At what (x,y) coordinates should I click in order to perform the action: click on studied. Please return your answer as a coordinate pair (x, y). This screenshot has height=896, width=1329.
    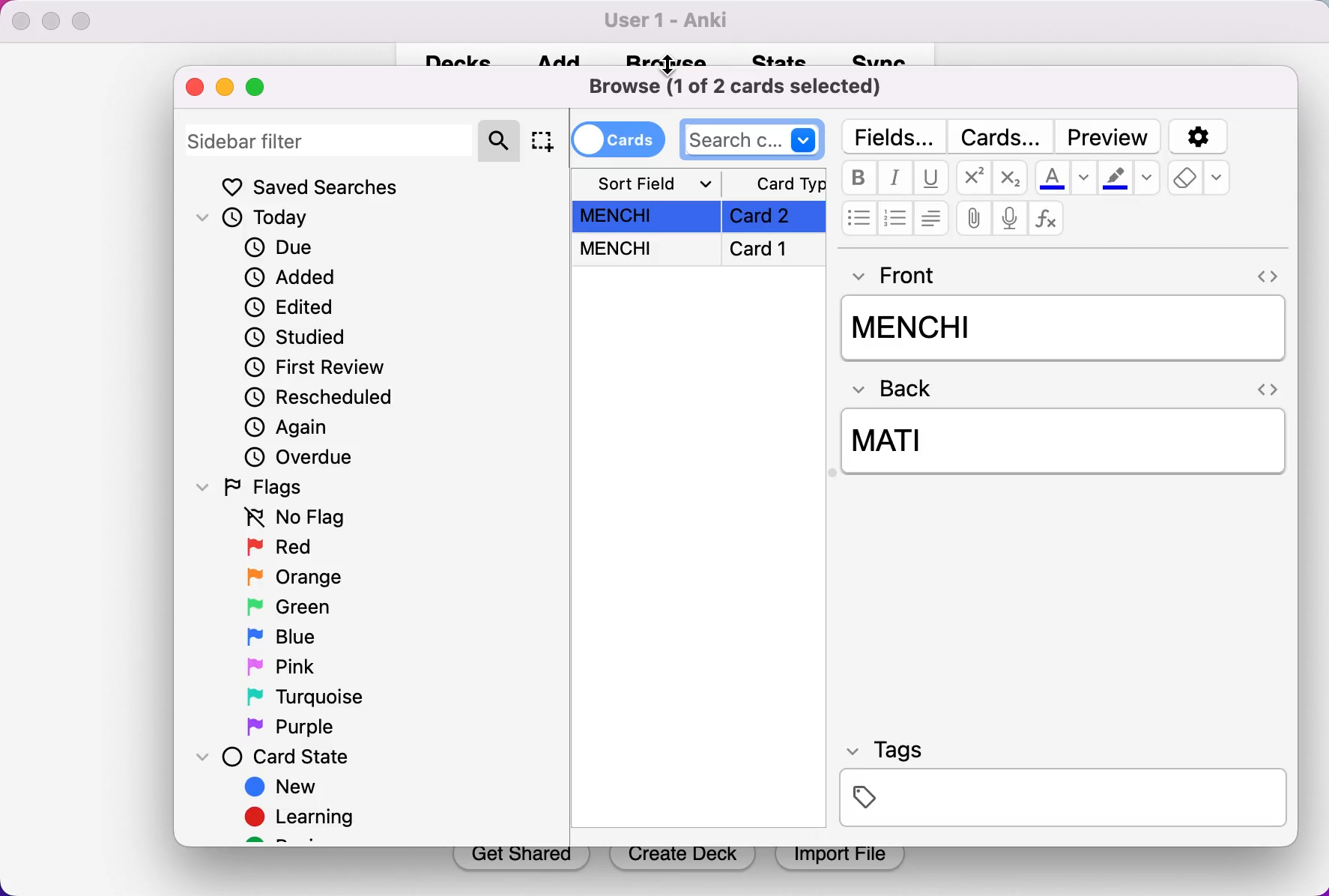
    Looking at the image, I should click on (297, 338).